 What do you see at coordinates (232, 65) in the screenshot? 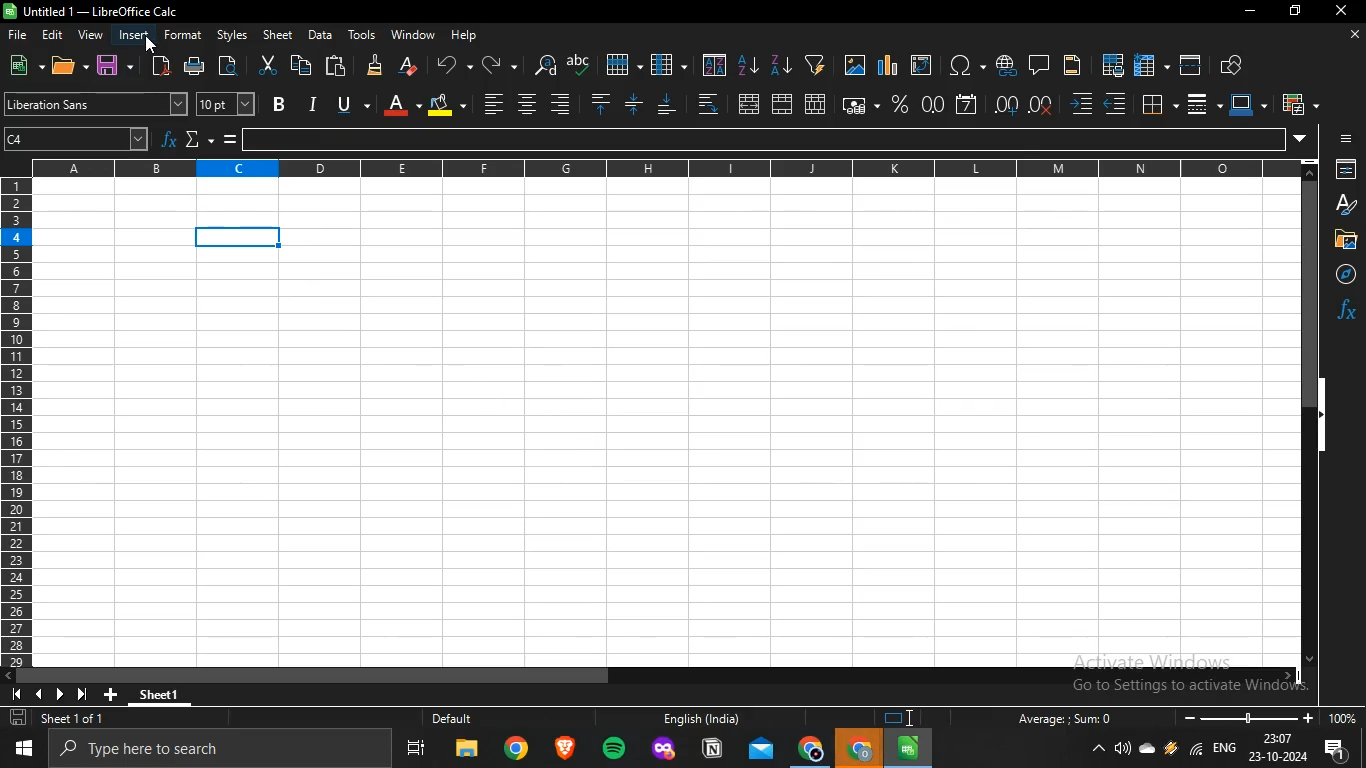
I see `toggle print preview` at bounding box center [232, 65].